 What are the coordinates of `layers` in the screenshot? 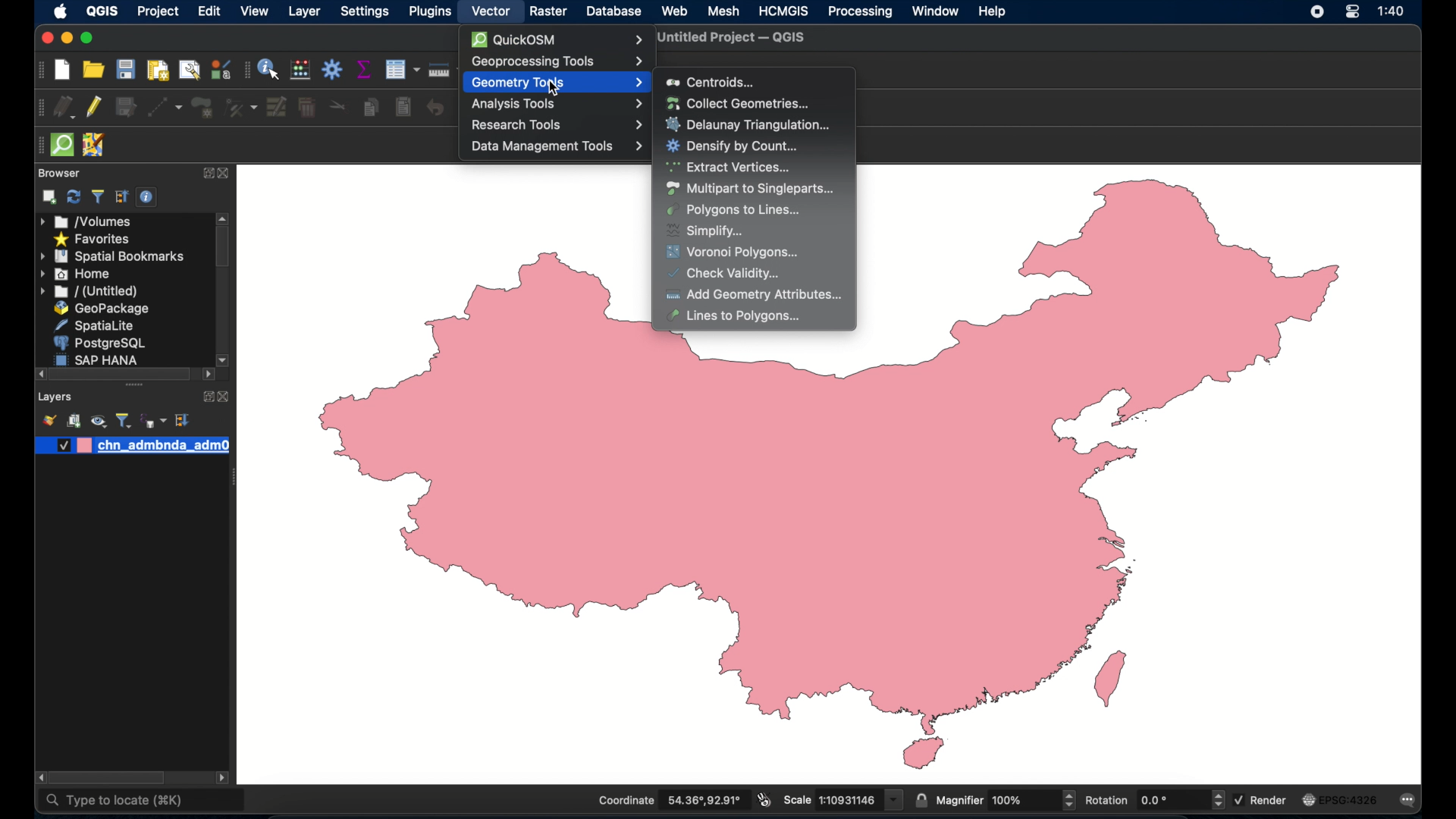 It's located at (55, 398).